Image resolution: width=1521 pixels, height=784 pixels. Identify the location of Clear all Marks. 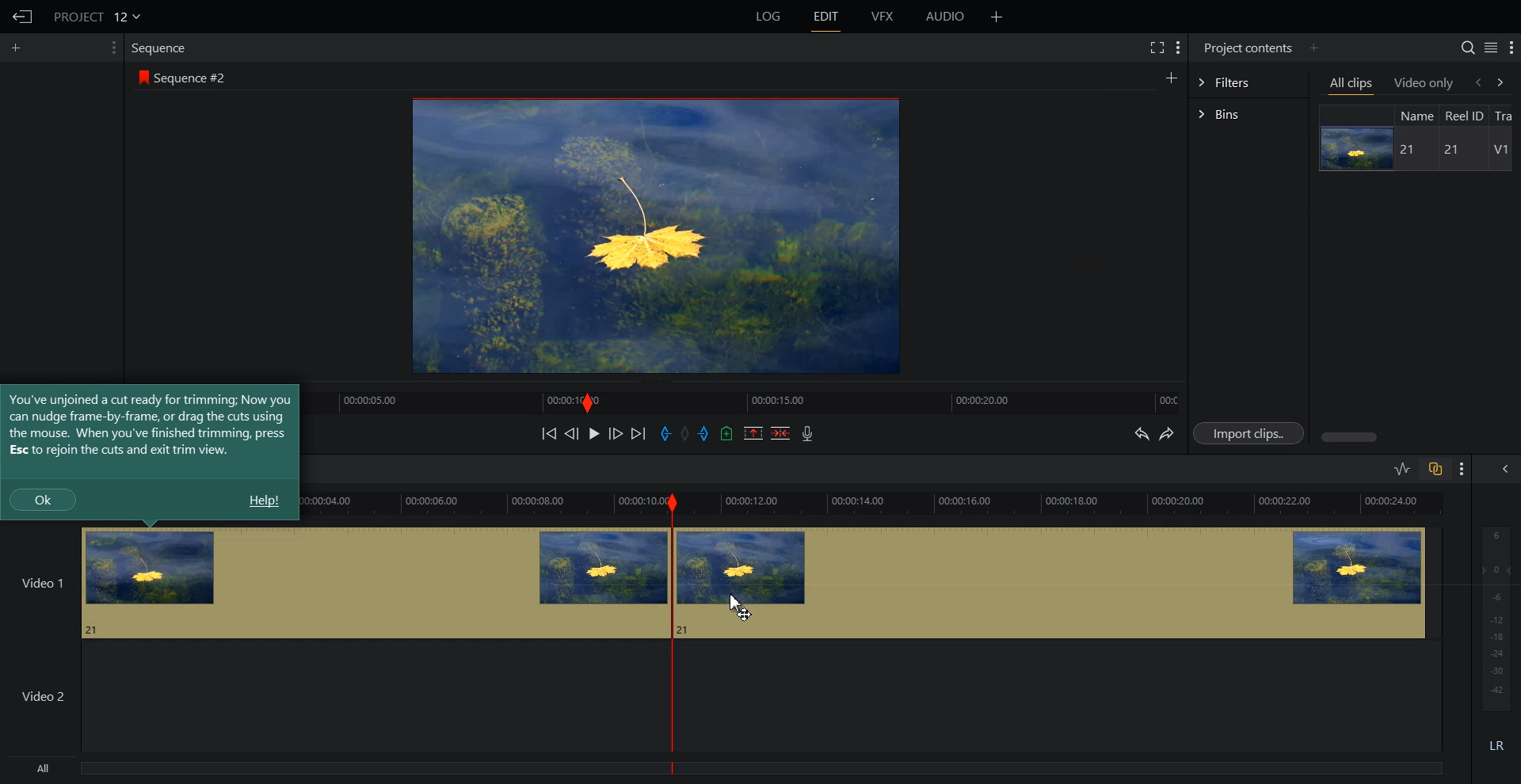
(685, 432).